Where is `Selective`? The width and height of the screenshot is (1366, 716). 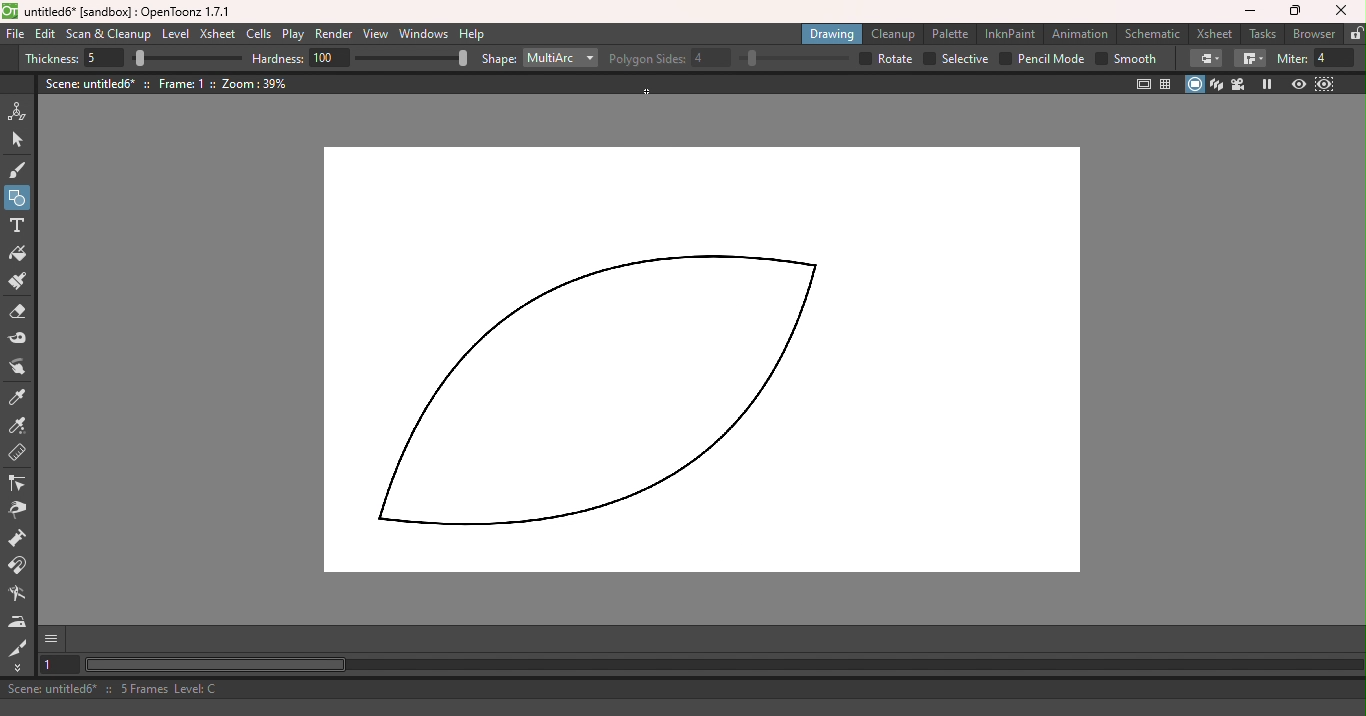 Selective is located at coordinates (957, 58).